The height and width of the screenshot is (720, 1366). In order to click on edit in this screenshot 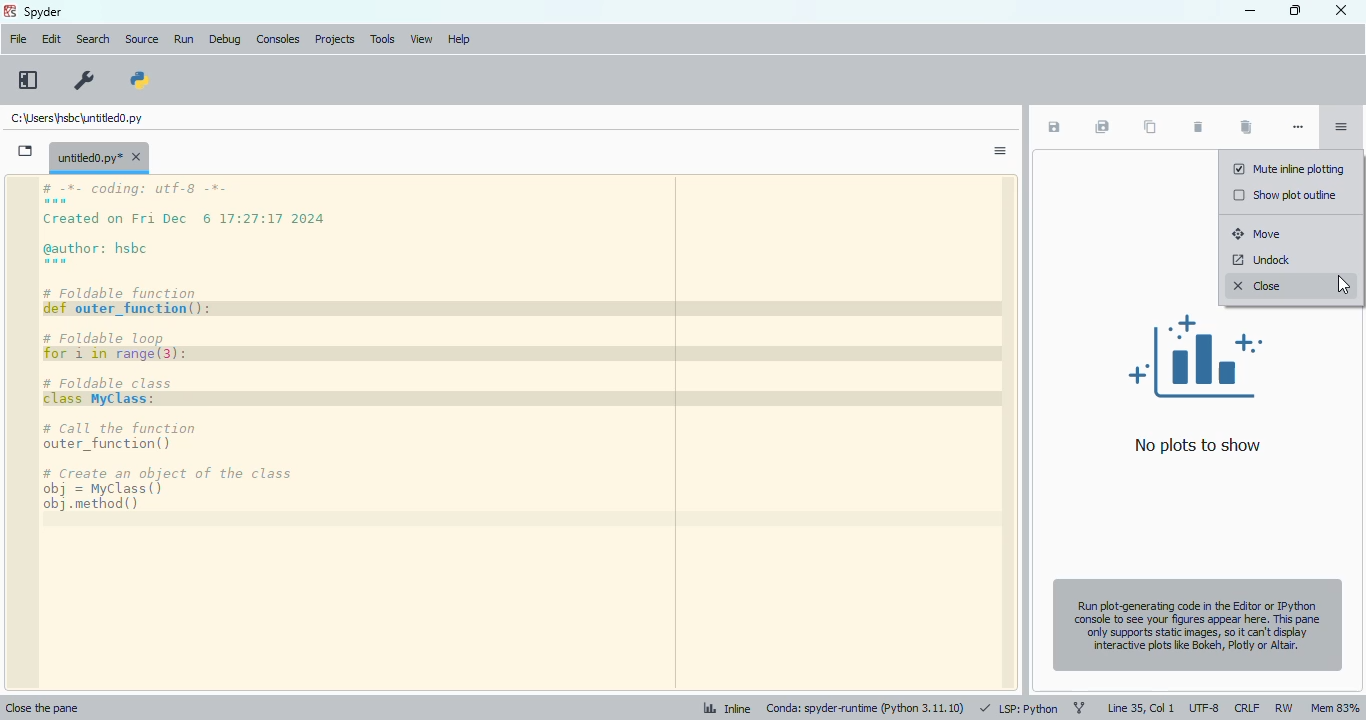, I will do `click(52, 39)`.